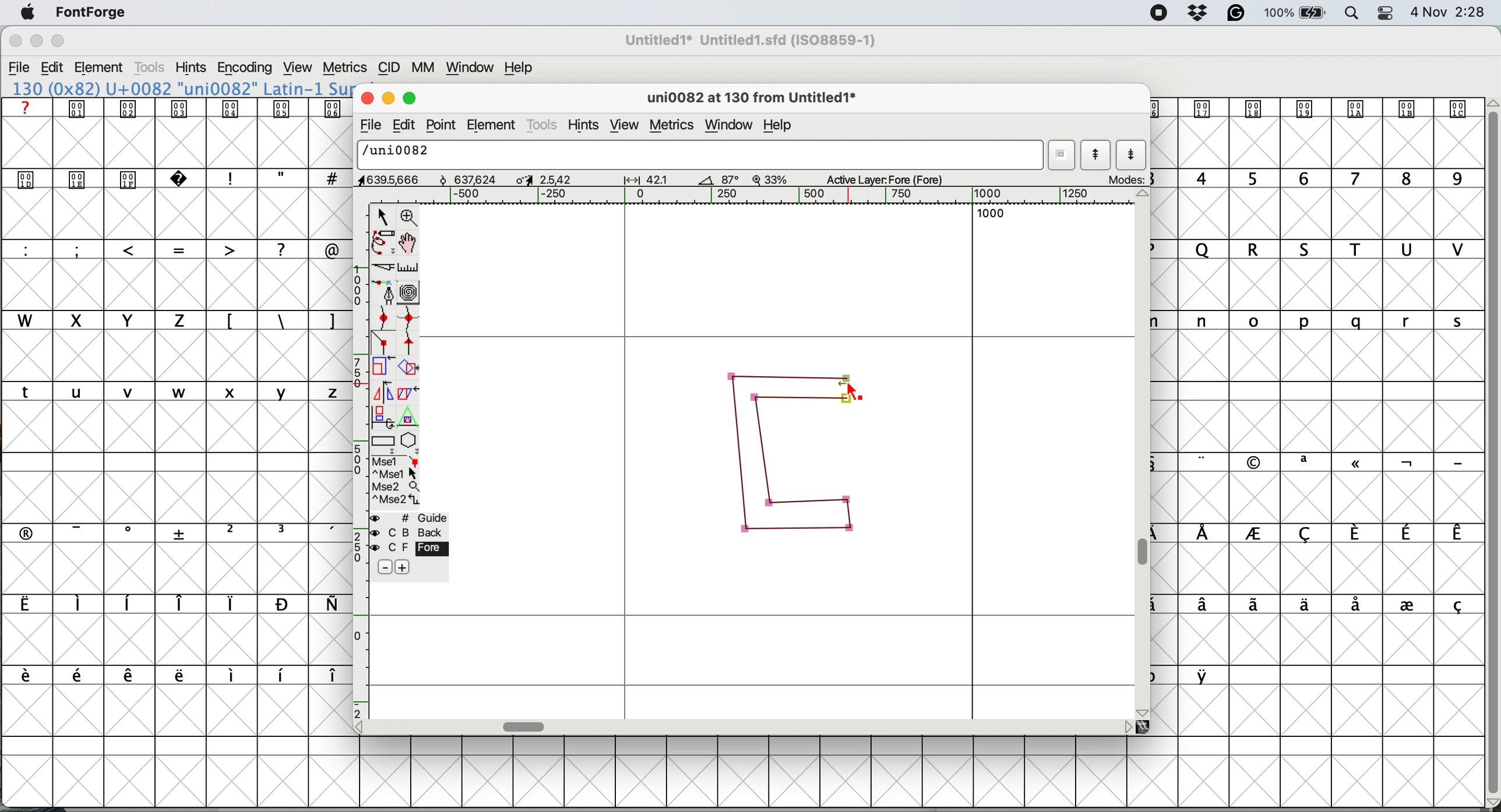  I want to click on mode, so click(1124, 179).